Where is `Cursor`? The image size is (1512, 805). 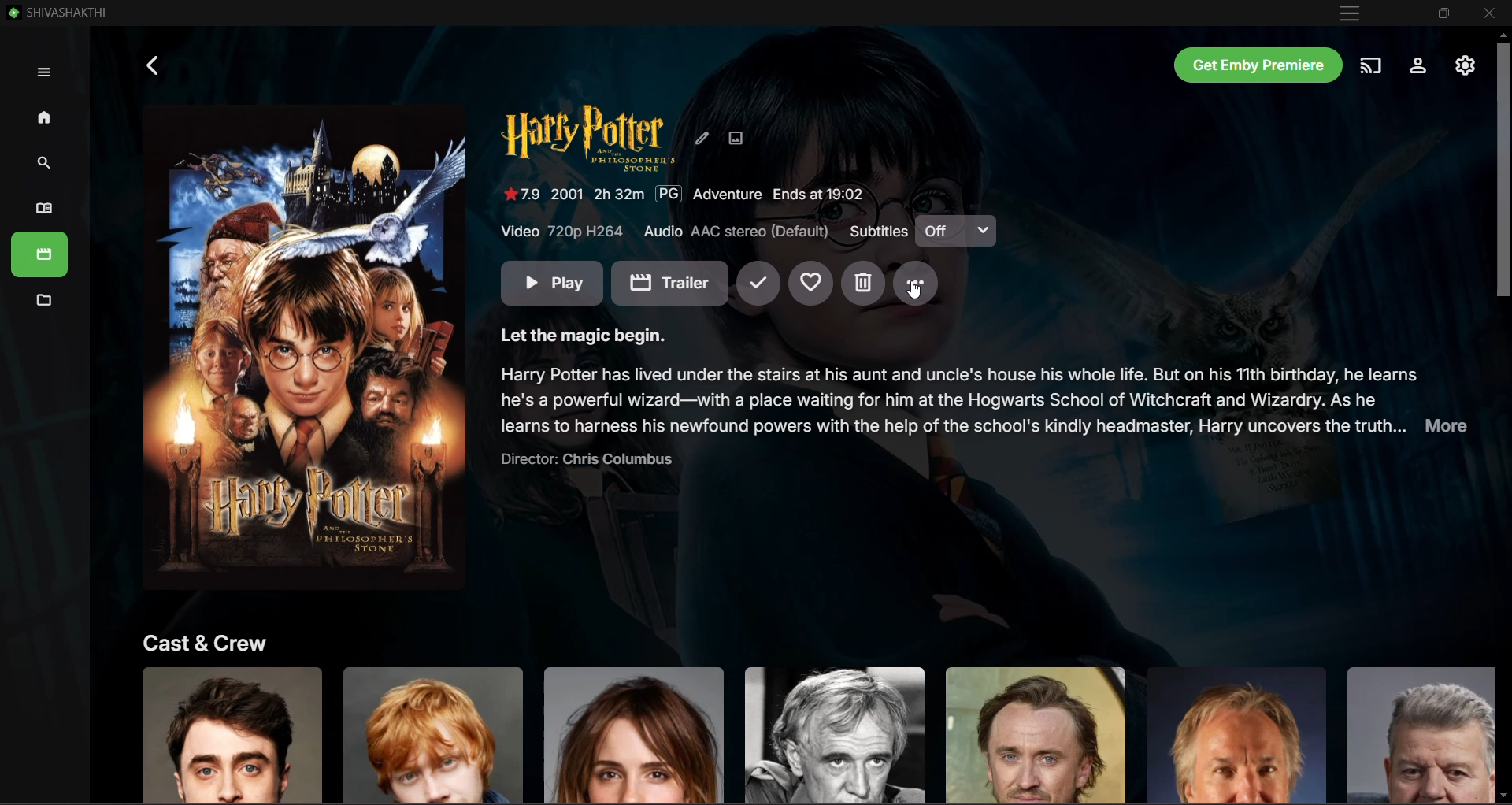
Cursor is located at coordinates (913, 289).